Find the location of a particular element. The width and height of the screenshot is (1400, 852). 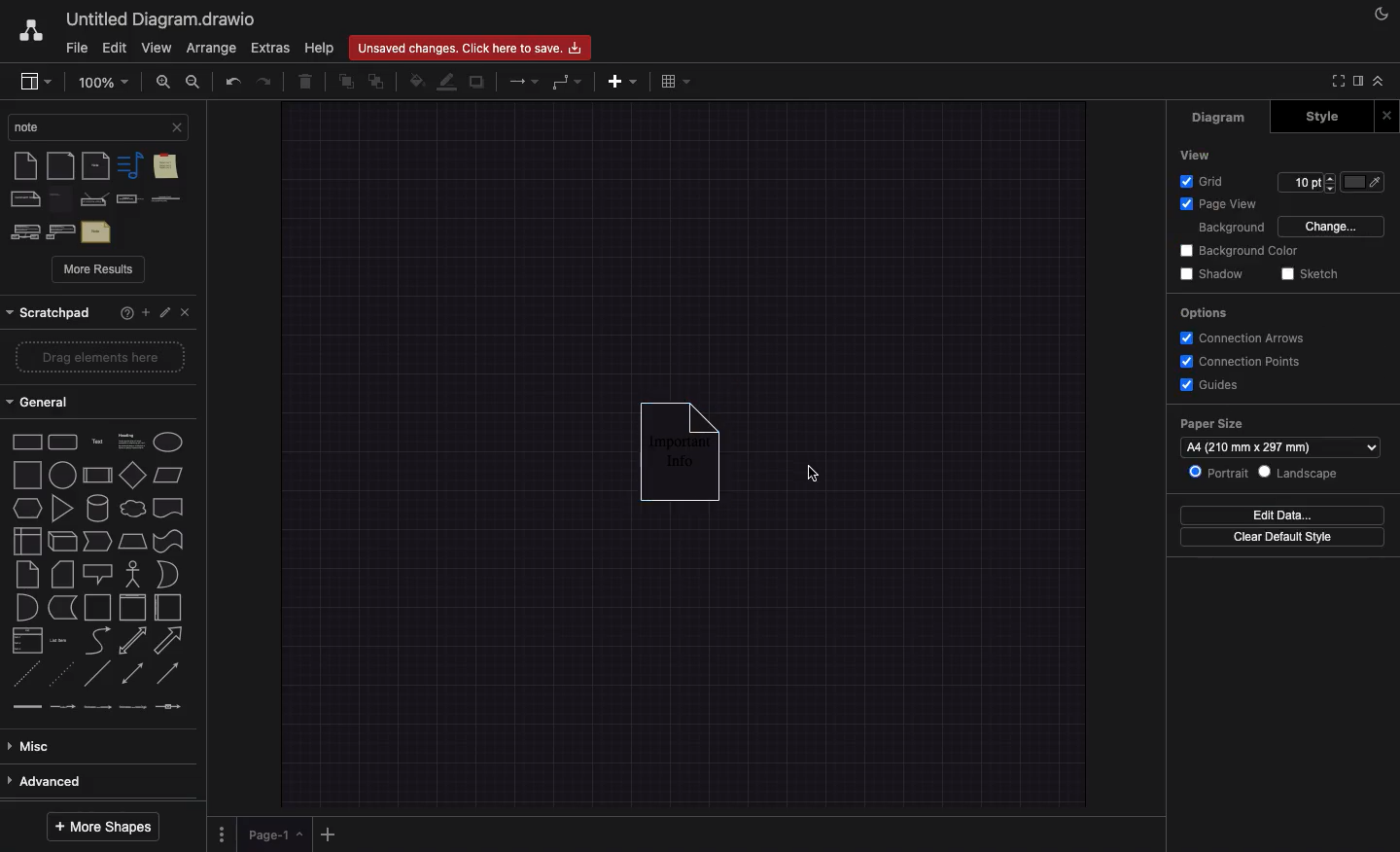

Duplicate is located at coordinates (476, 82).